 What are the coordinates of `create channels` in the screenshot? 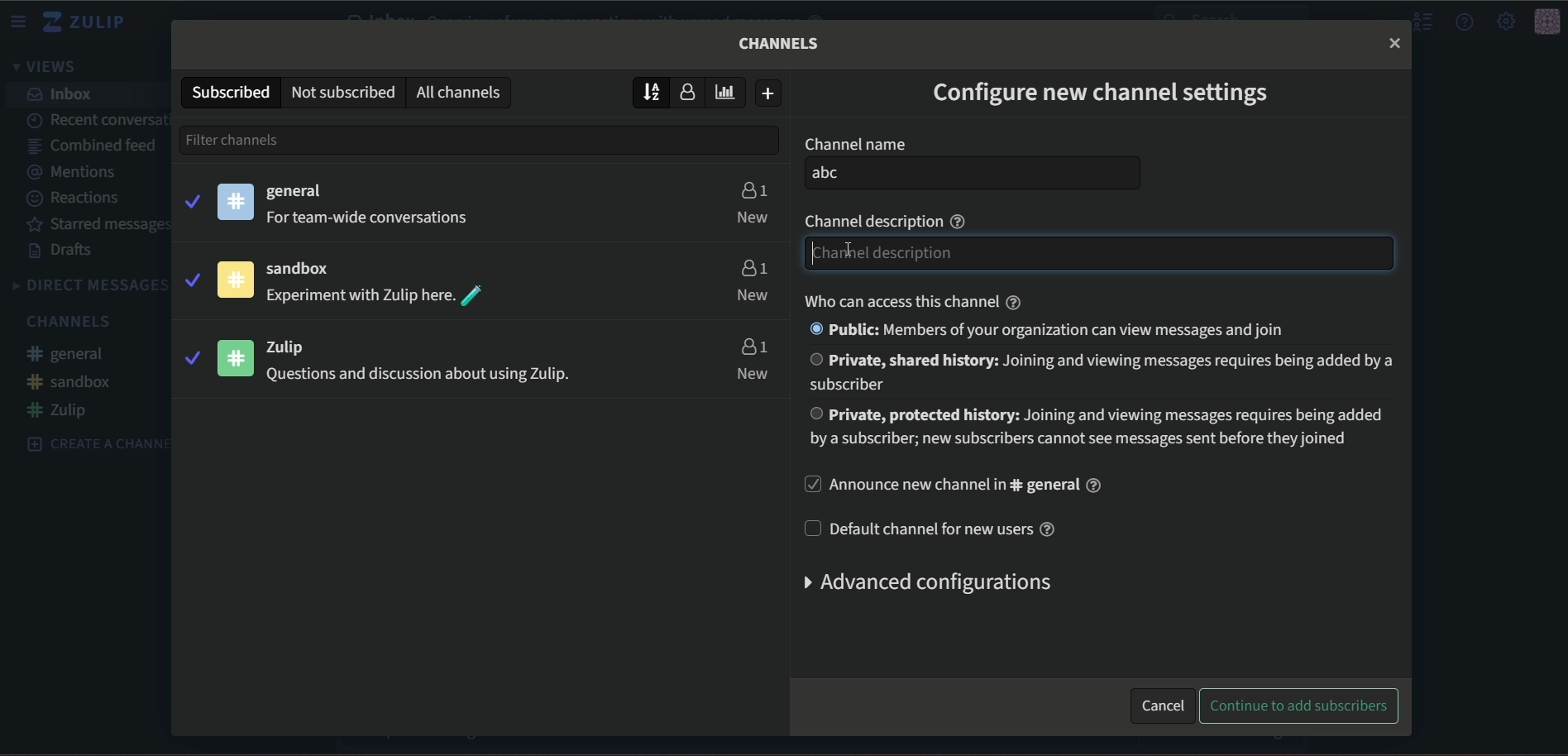 It's located at (89, 443).